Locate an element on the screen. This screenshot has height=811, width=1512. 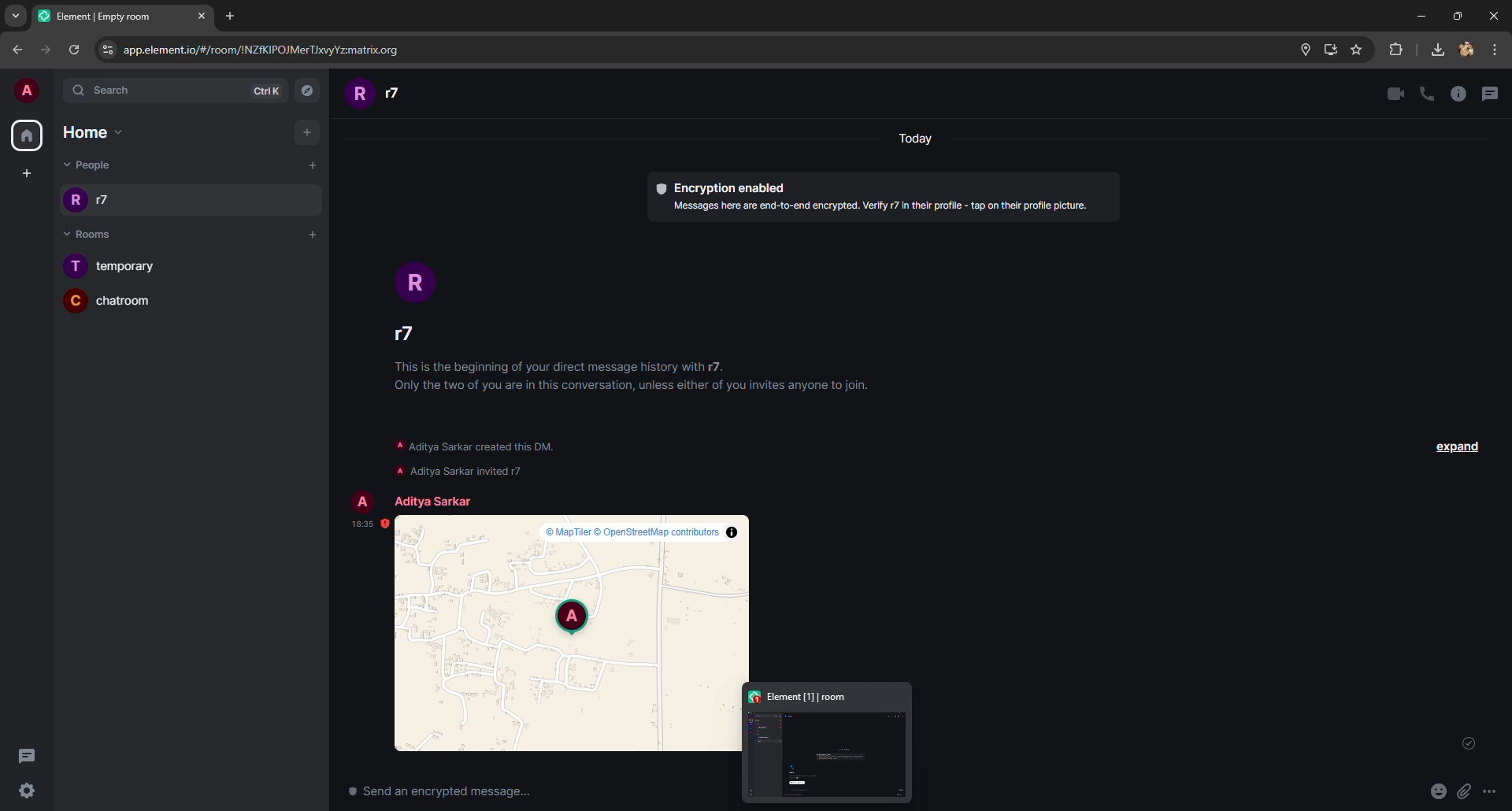
add new tab is located at coordinates (232, 19).